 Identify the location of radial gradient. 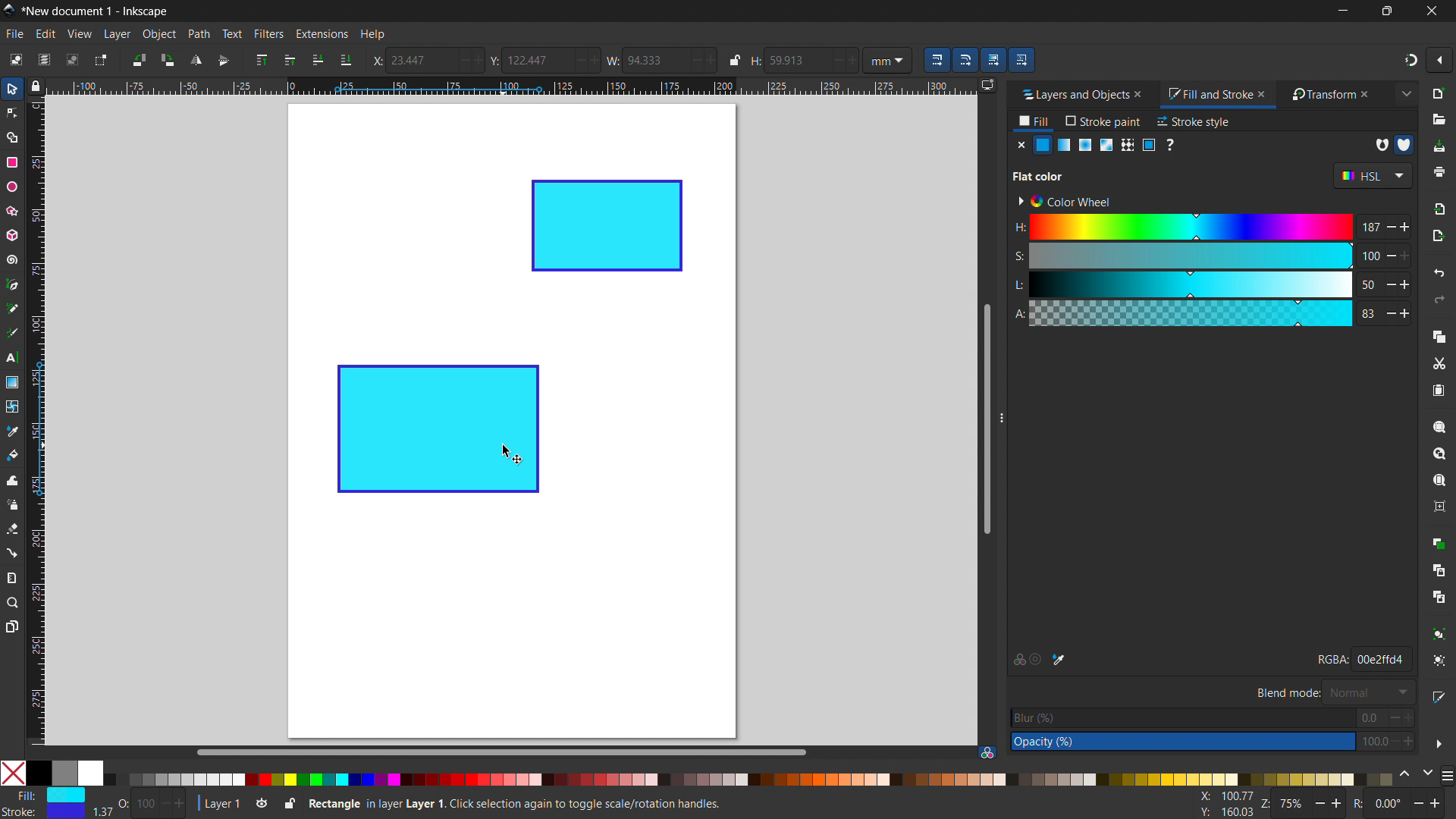
(1085, 145).